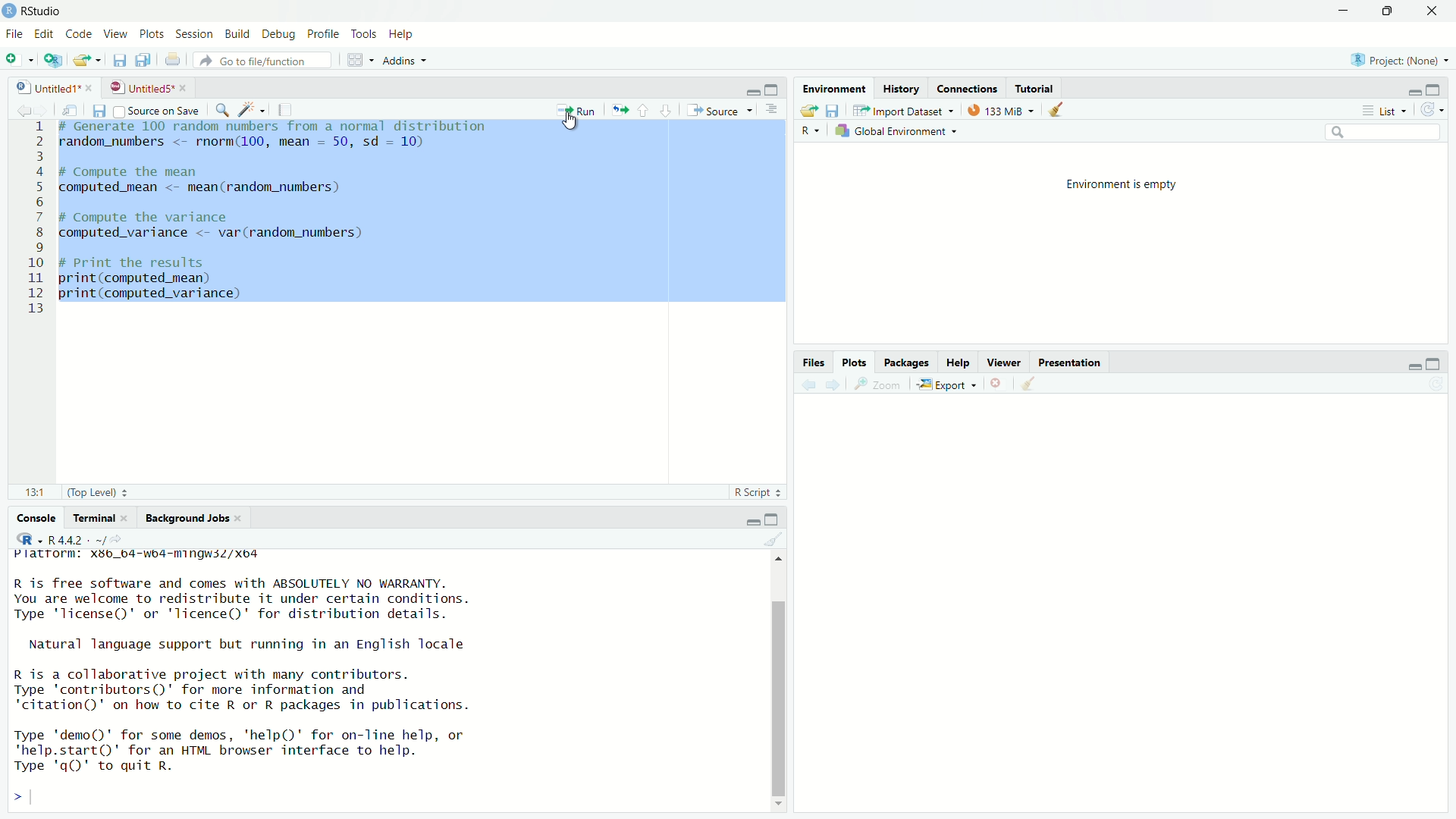 The height and width of the screenshot is (819, 1456). What do you see at coordinates (118, 35) in the screenshot?
I see `view` at bounding box center [118, 35].